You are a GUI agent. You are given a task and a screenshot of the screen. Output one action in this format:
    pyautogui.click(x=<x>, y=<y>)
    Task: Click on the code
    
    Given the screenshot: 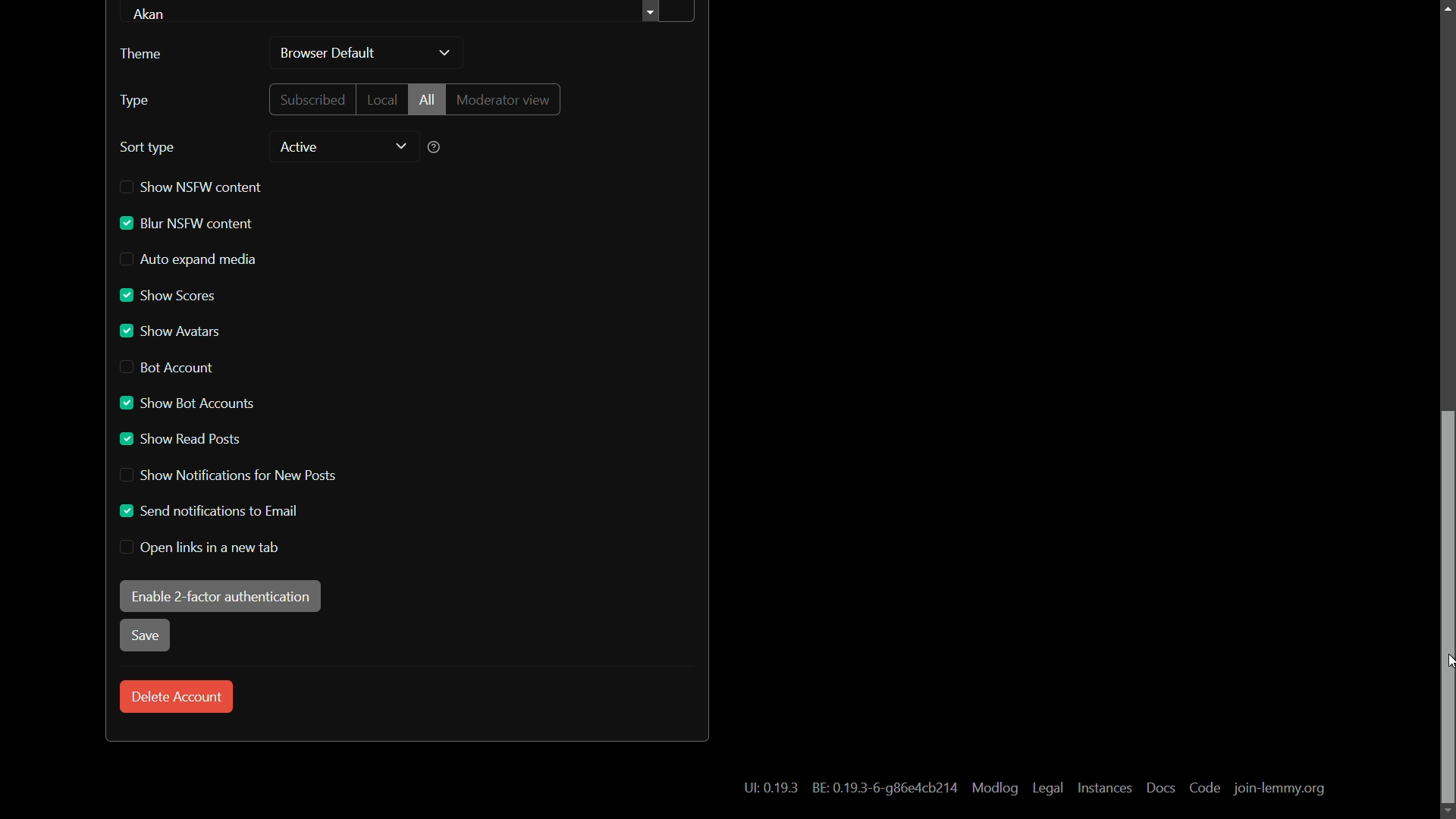 What is the action you would take?
    pyautogui.click(x=1205, y=789)
    